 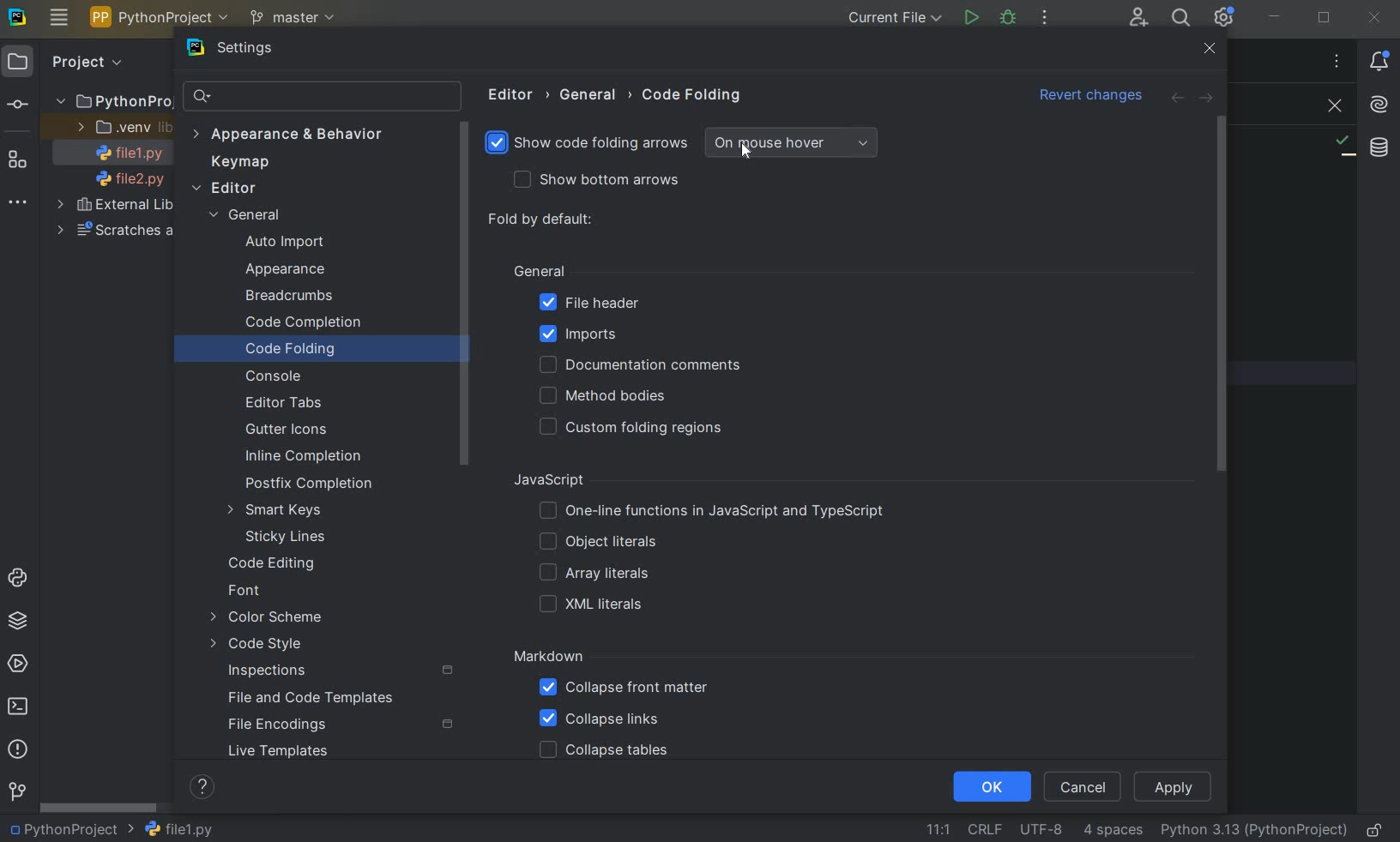 I want to click on FILE NAME 2, so click(x=122, y=180).